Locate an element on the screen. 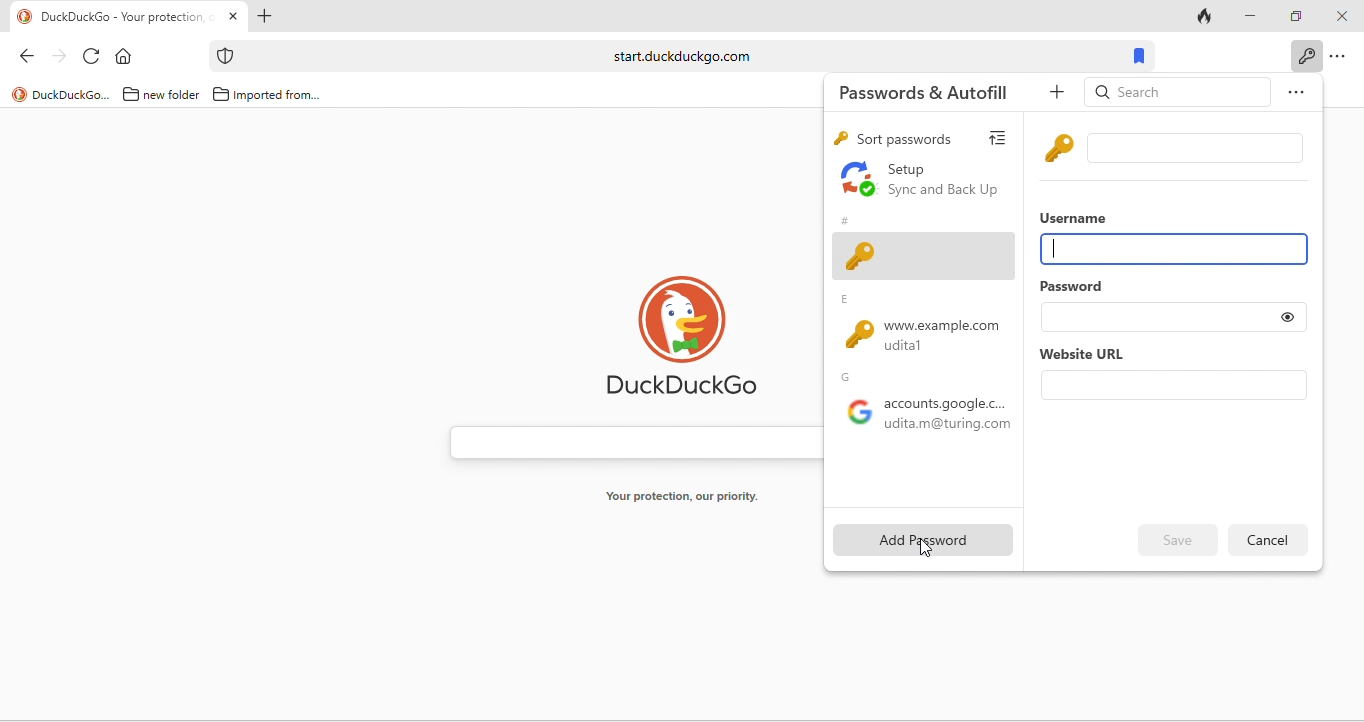  duck duck go logo is located at coordinates (683, 333).